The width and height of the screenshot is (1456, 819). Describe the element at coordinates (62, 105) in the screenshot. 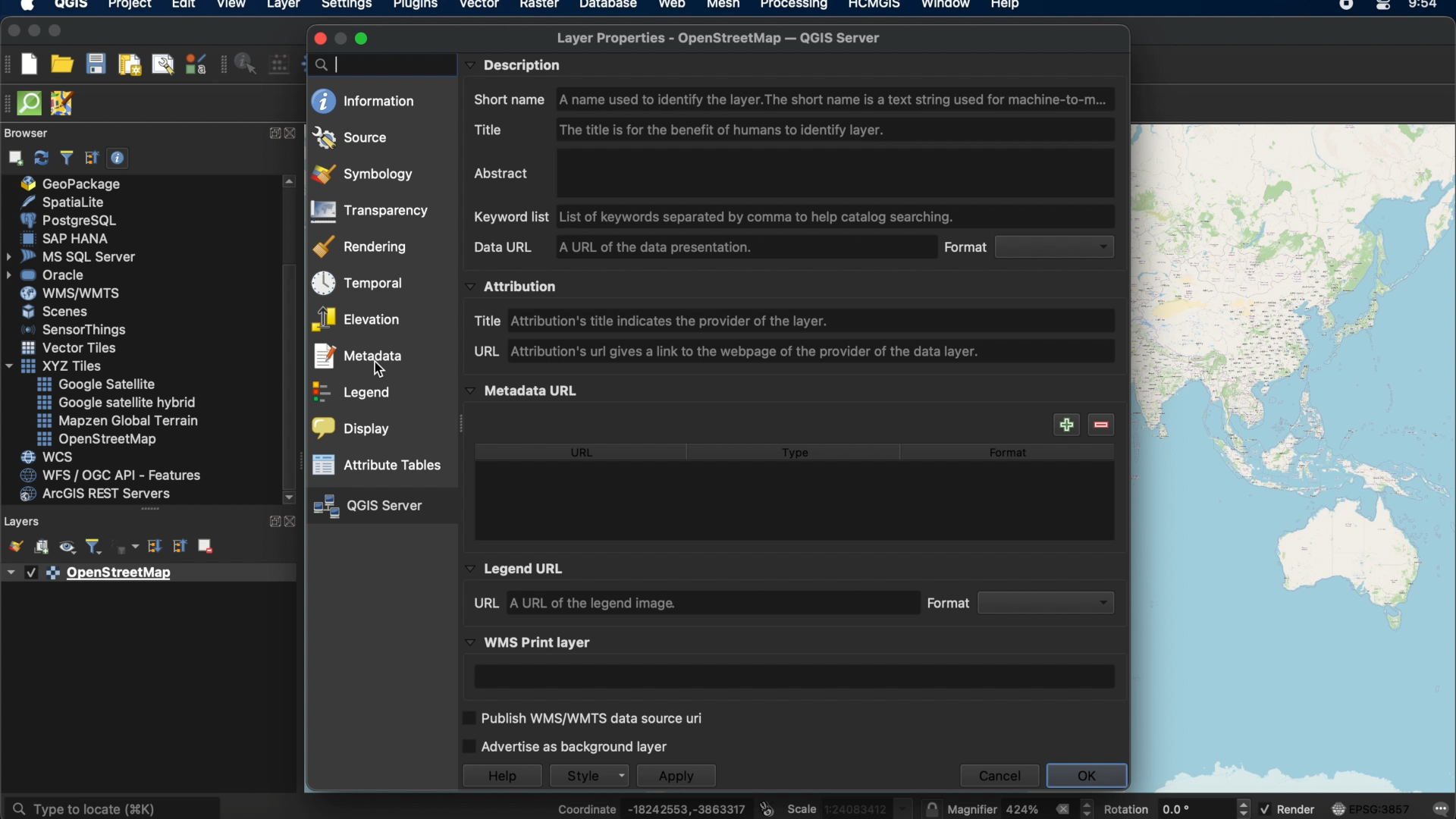

I see `JOSM remote` at that location.